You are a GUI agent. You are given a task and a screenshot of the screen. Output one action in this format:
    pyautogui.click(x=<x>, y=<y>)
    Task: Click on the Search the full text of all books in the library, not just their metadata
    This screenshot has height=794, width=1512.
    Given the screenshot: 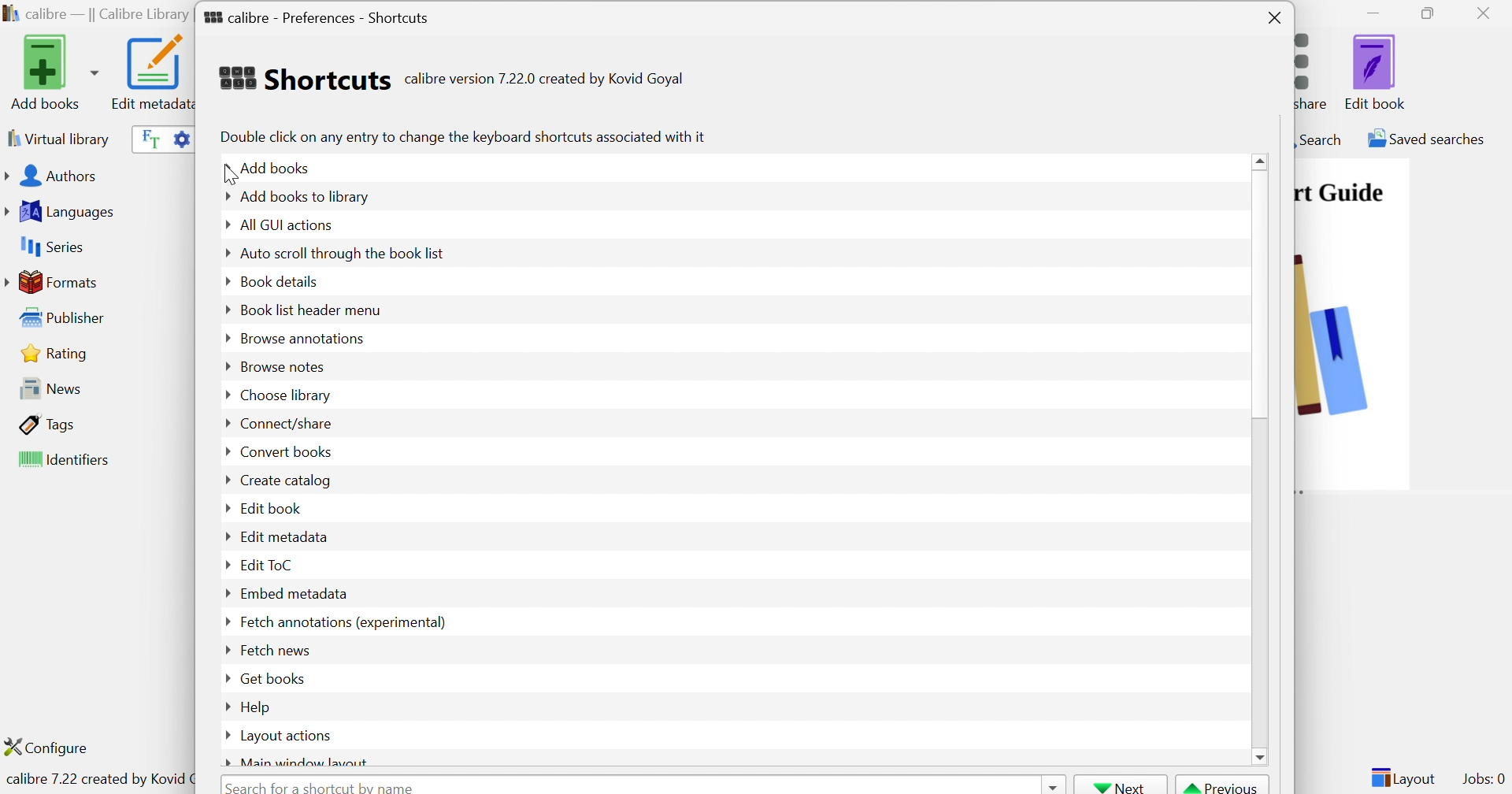 What is the action you would take?
    pyautogui.click(x=147, y=138)
    